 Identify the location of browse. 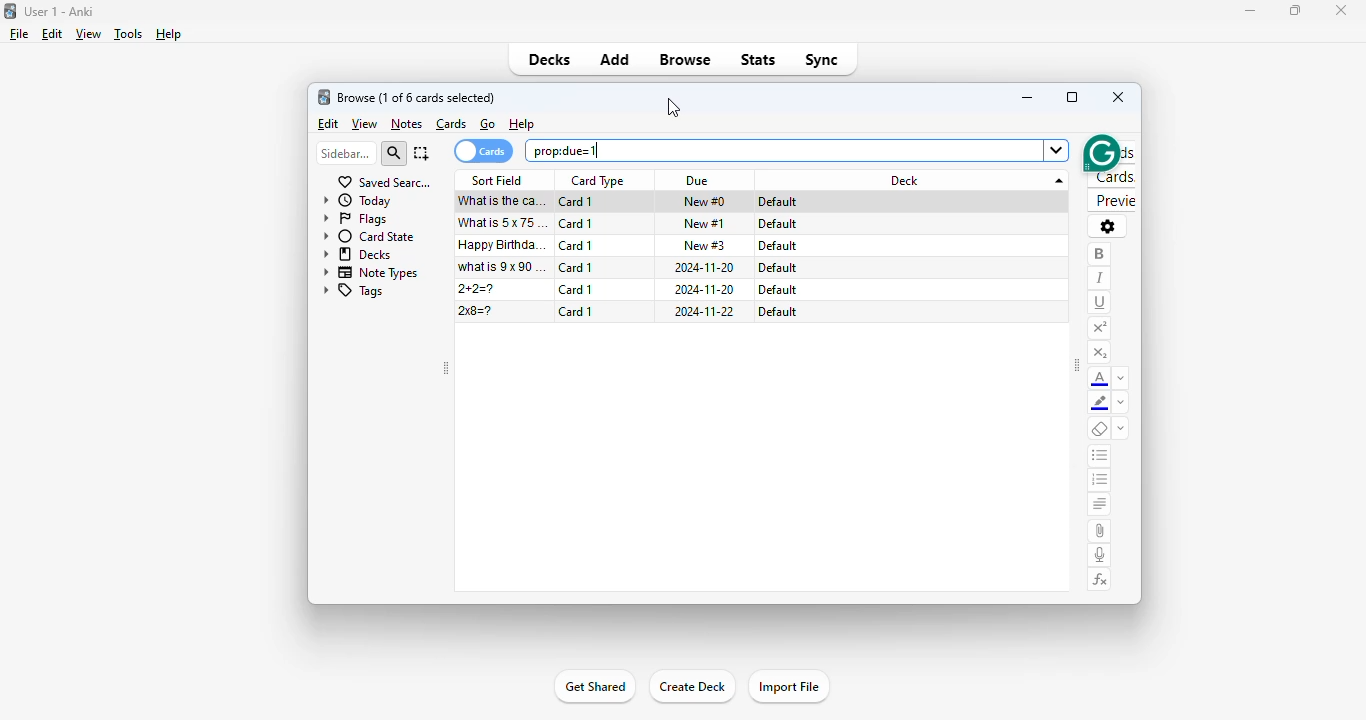
(684, 60).